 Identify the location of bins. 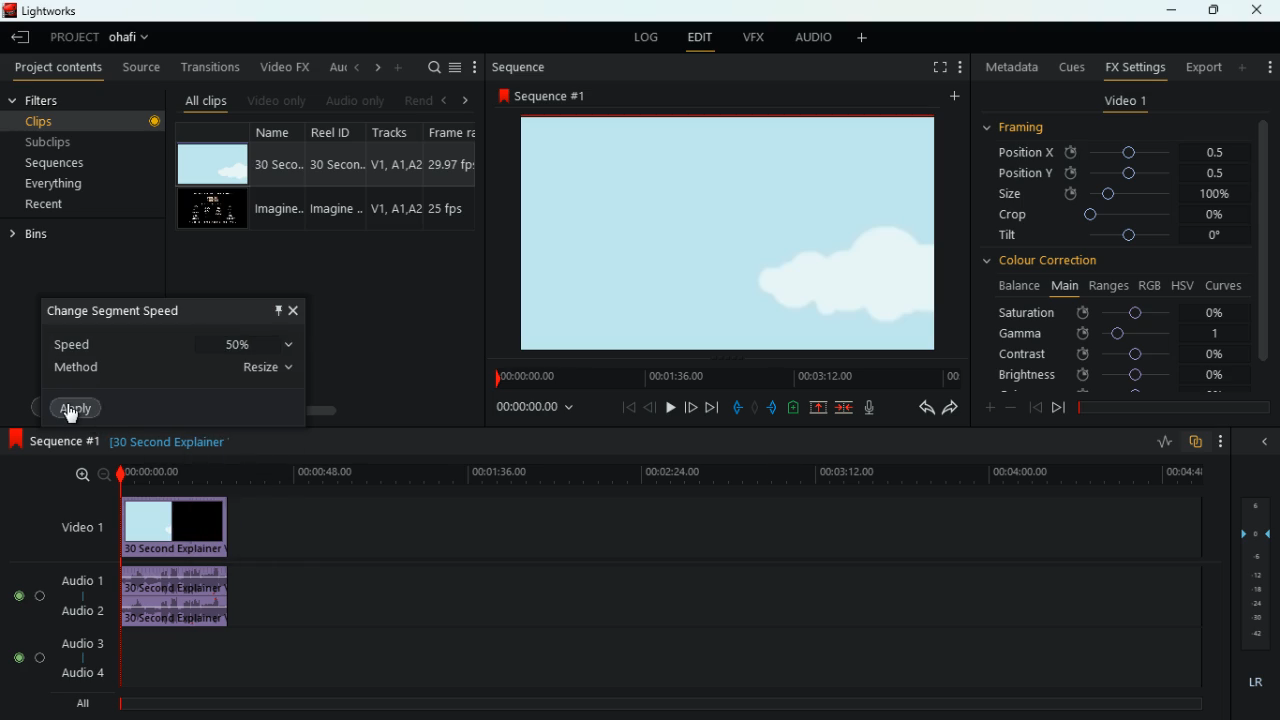
(39, 235).